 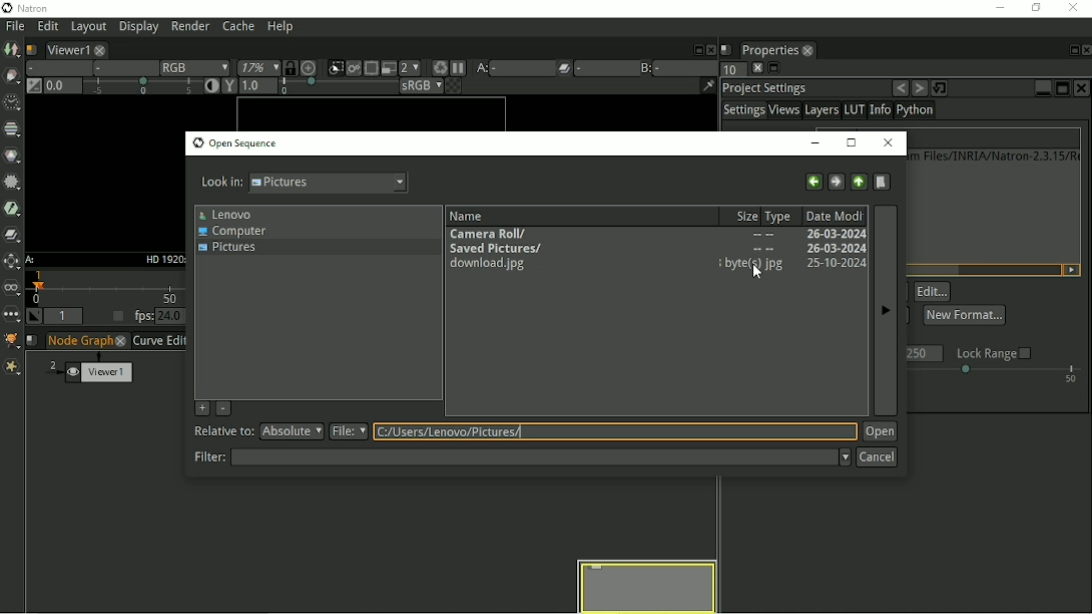 What do you see at coordinates (859, 180) in the screenshot?
I see `Go to parent directory` at bounding box center [859, 180].